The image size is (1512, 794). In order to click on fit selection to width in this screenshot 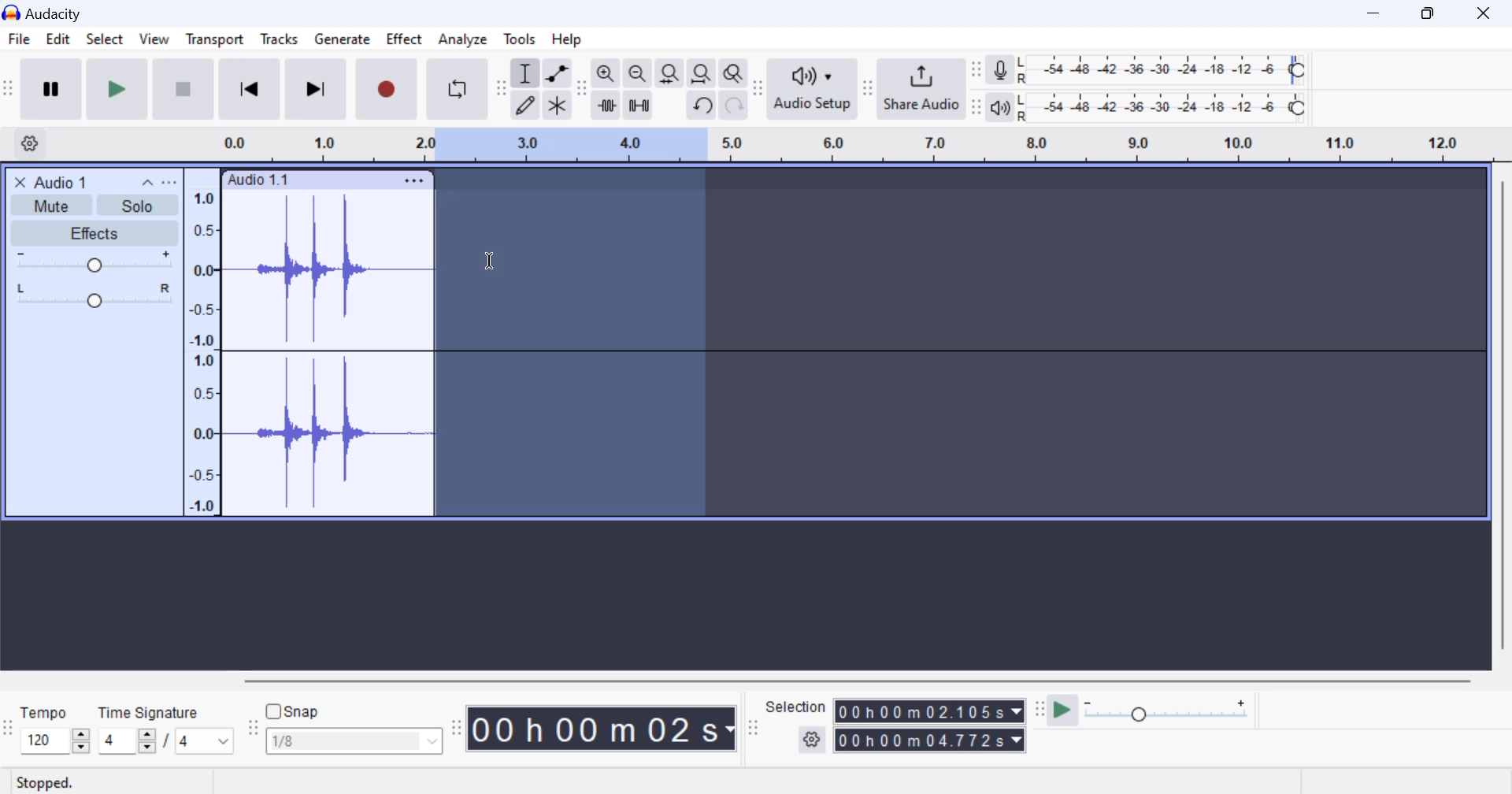, I will do `click(668, 75)`.